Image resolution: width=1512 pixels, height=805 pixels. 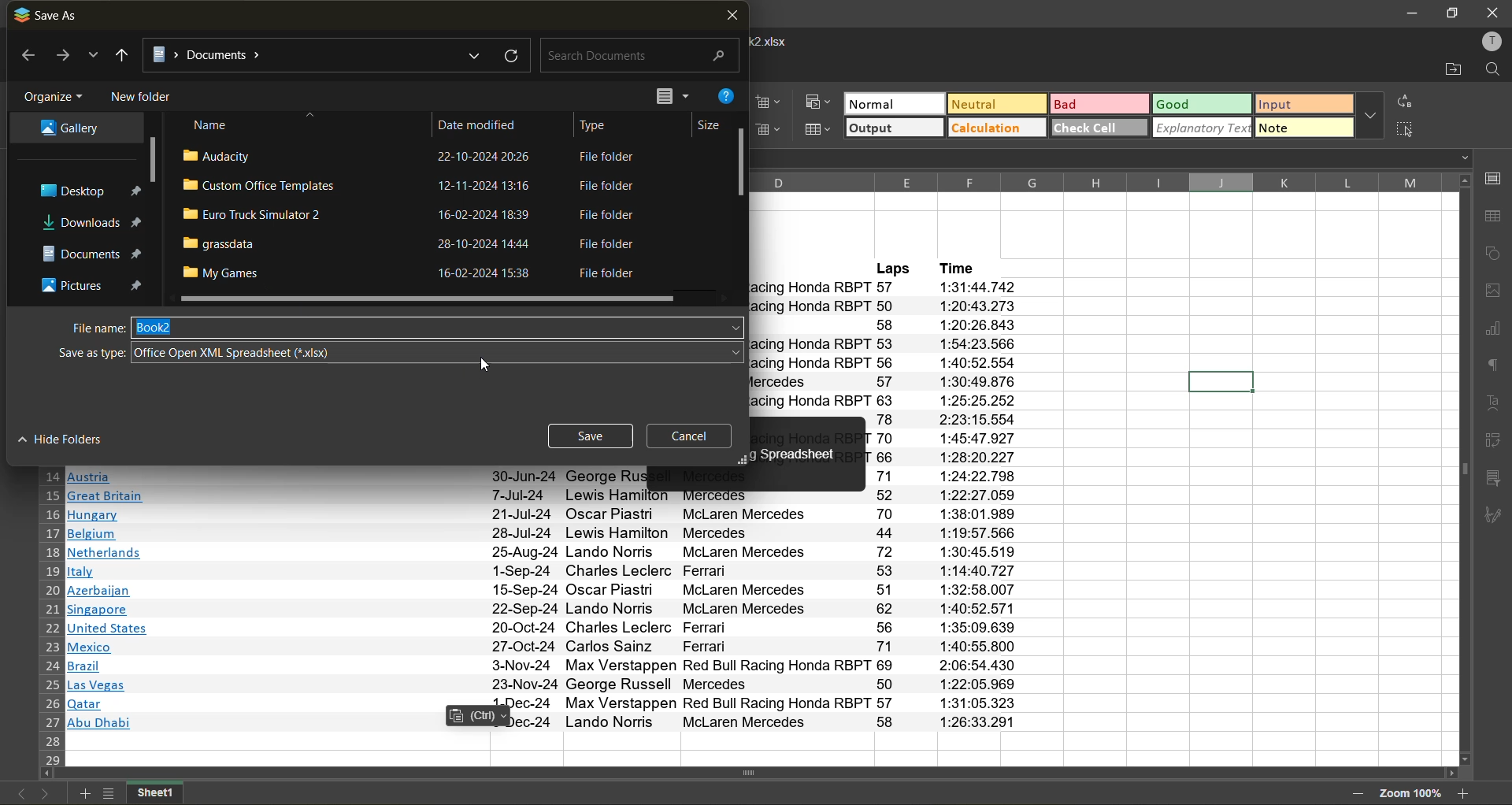 I want to click on output, so click(x=894, y=128).